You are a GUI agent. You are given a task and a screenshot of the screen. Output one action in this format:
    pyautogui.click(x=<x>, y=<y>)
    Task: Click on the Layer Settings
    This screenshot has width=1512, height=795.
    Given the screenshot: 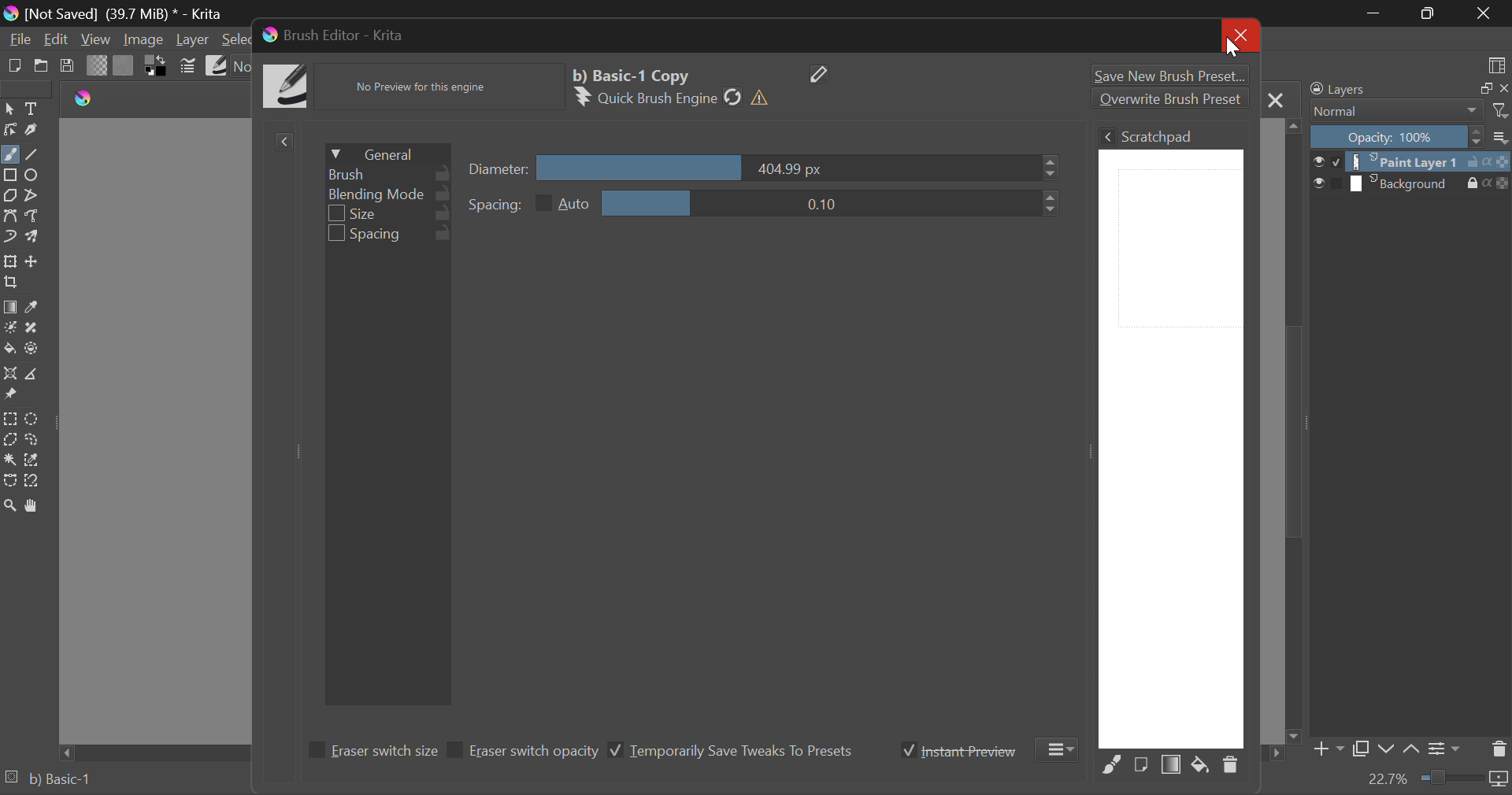 What is the action you would take?
    pyautogui.click(x=1446, y=749)
    